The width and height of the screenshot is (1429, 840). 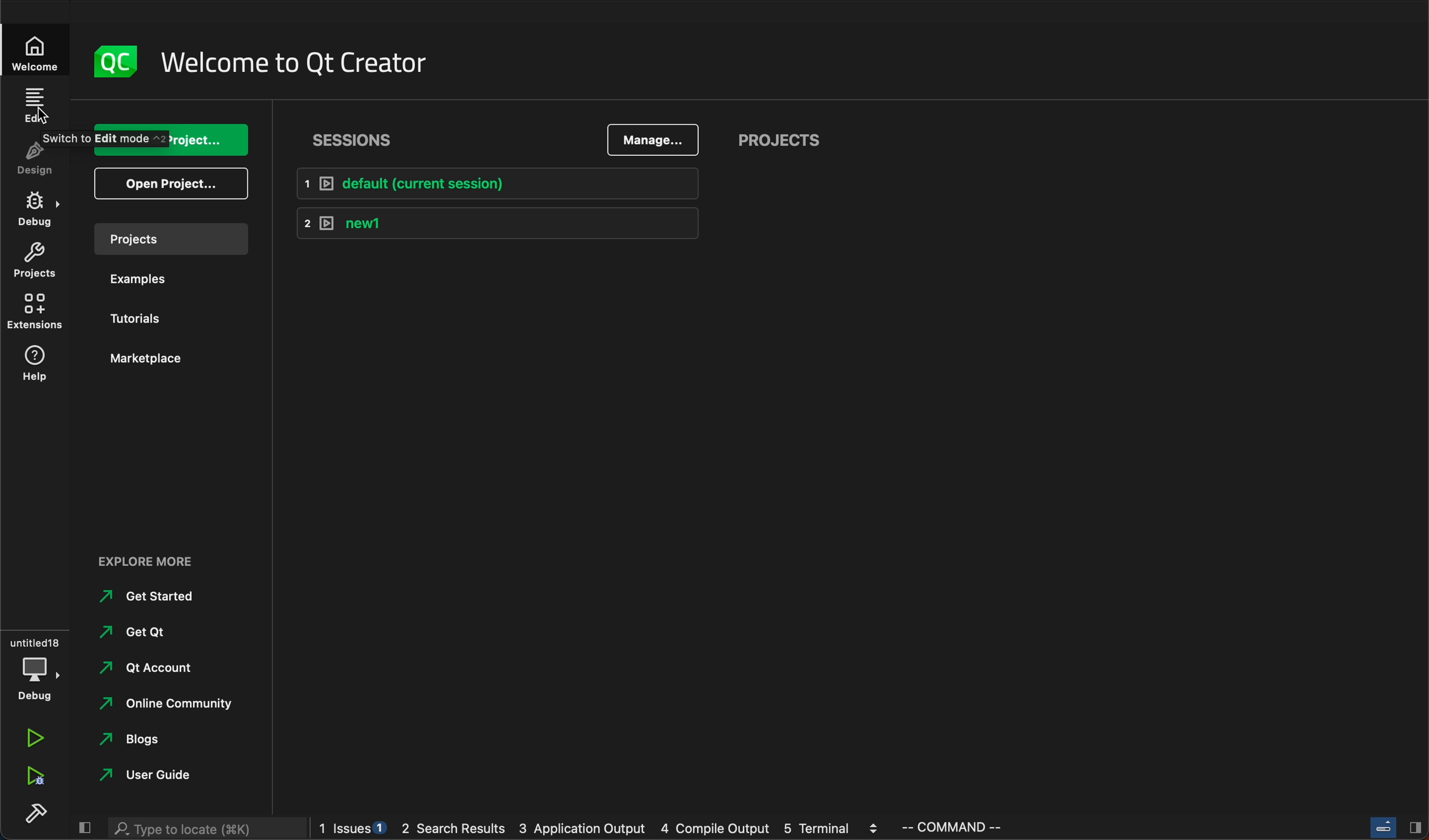 What do you see at coordinates (582, 830) in the screenshot?
I see `application output` at bounding box center [582, 830].